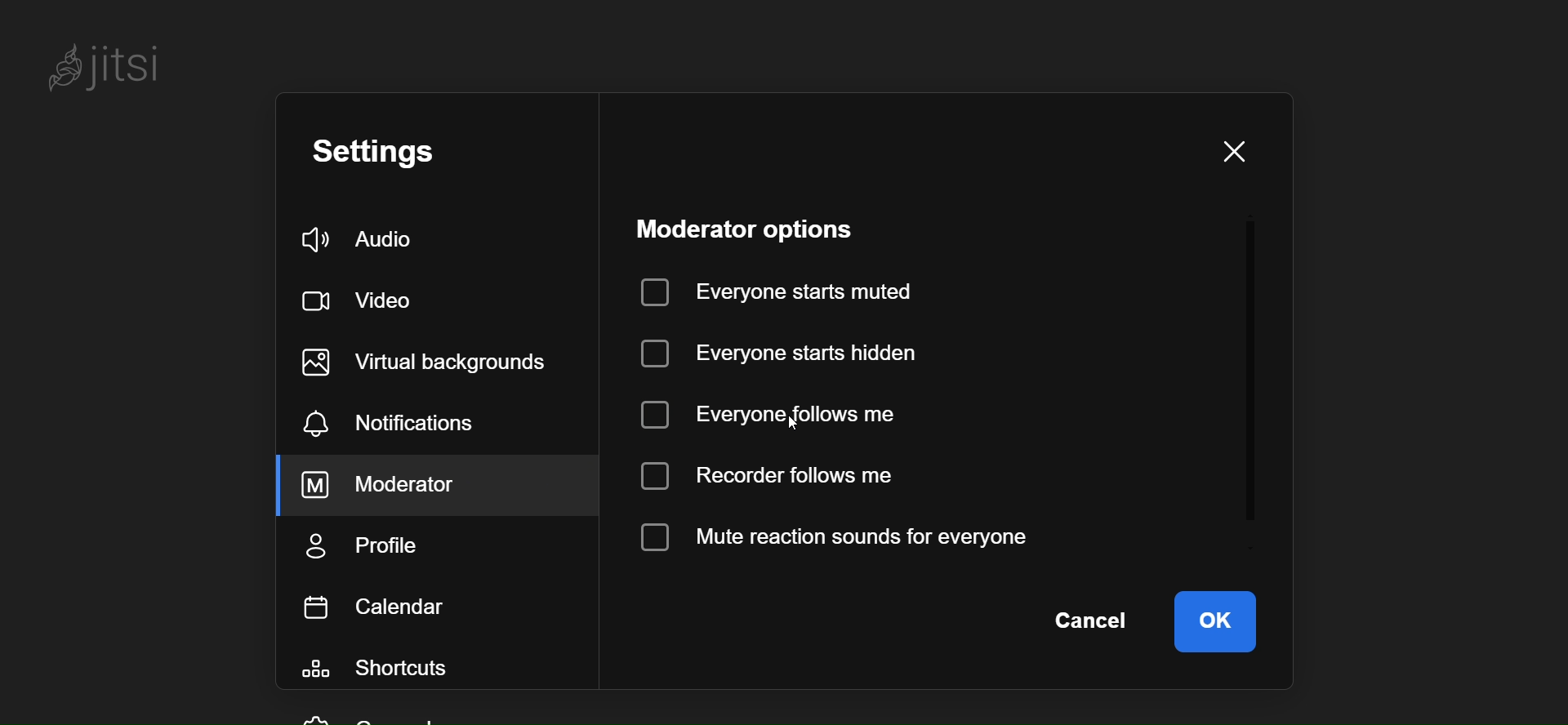  Describe the element at coordinates (388, 671) in the screenshot. I see `shortcut` at that location.